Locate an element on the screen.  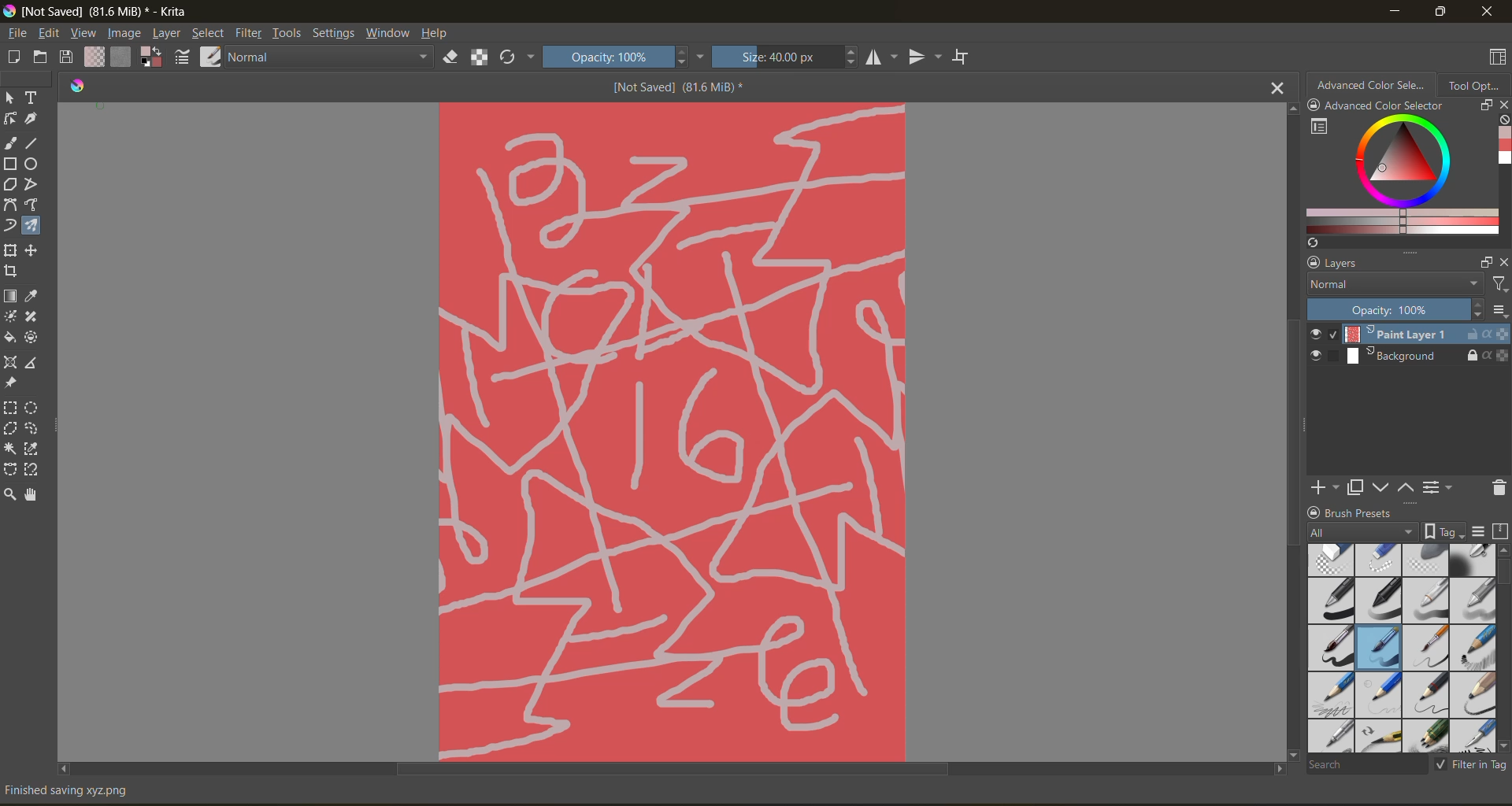
brush presets is located at coordinates (1398, 649).